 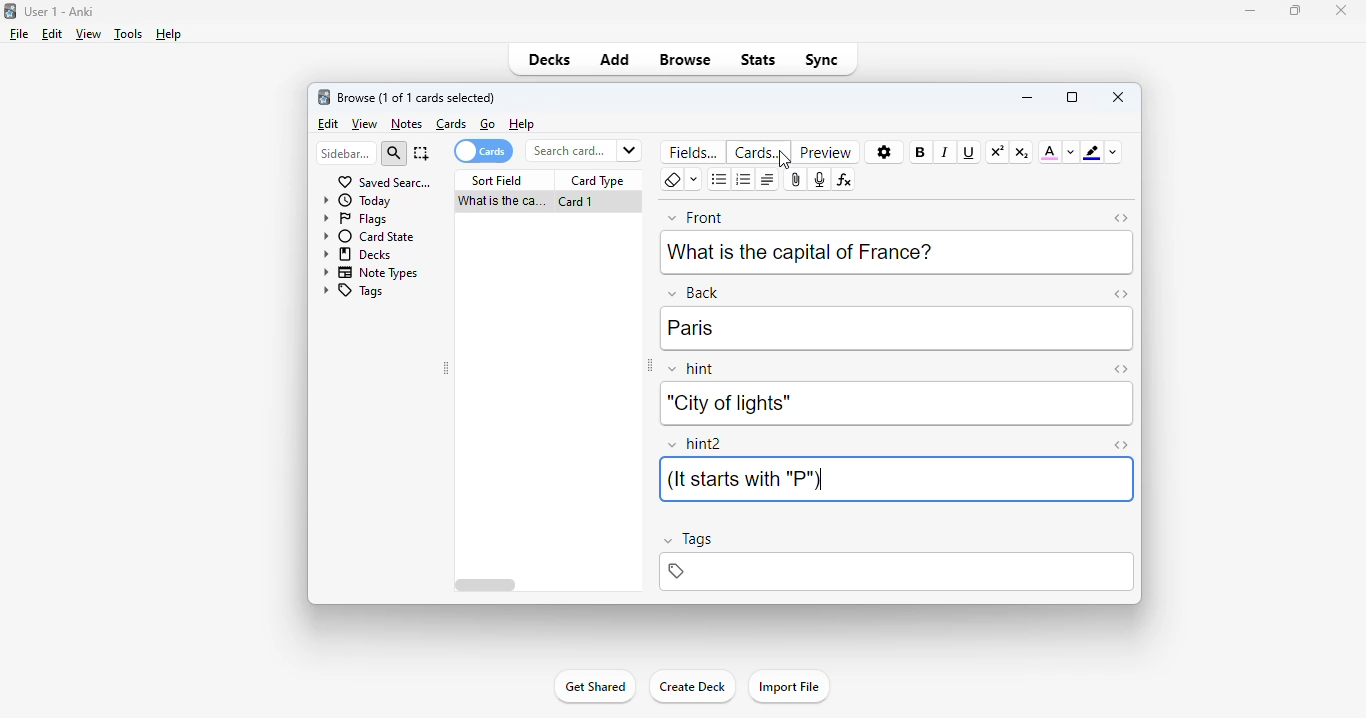 What do you see at coordinates (1121, 446) in the screenshot?
I see `toggle HTML editor` at bounding box center [1121, 446].